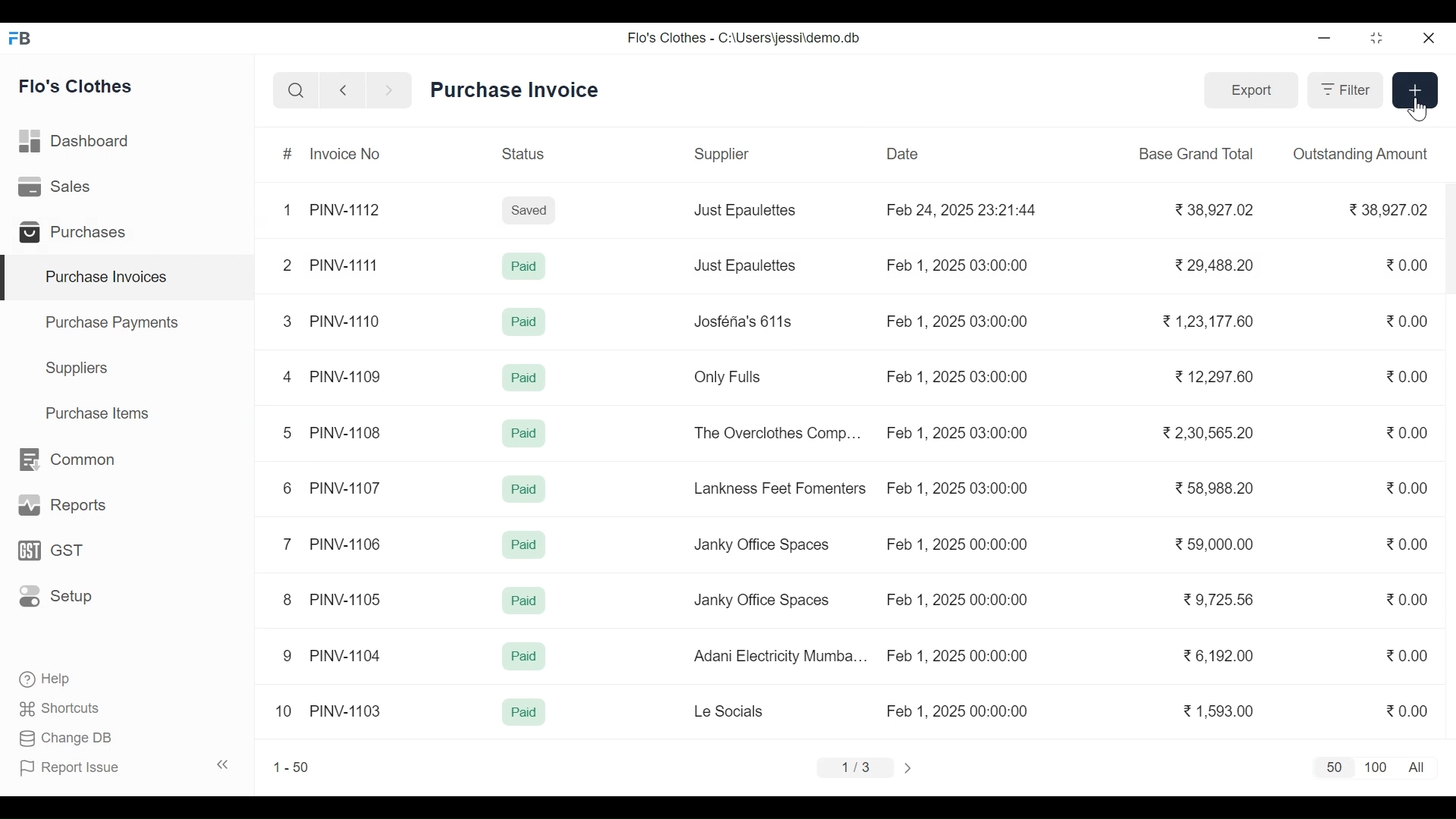 The width and height of the screenshot is (1456, 819). What do you see at coordinates (529, 209) in the screenshot?
I see `Saved` at bounding box center [529, 209].